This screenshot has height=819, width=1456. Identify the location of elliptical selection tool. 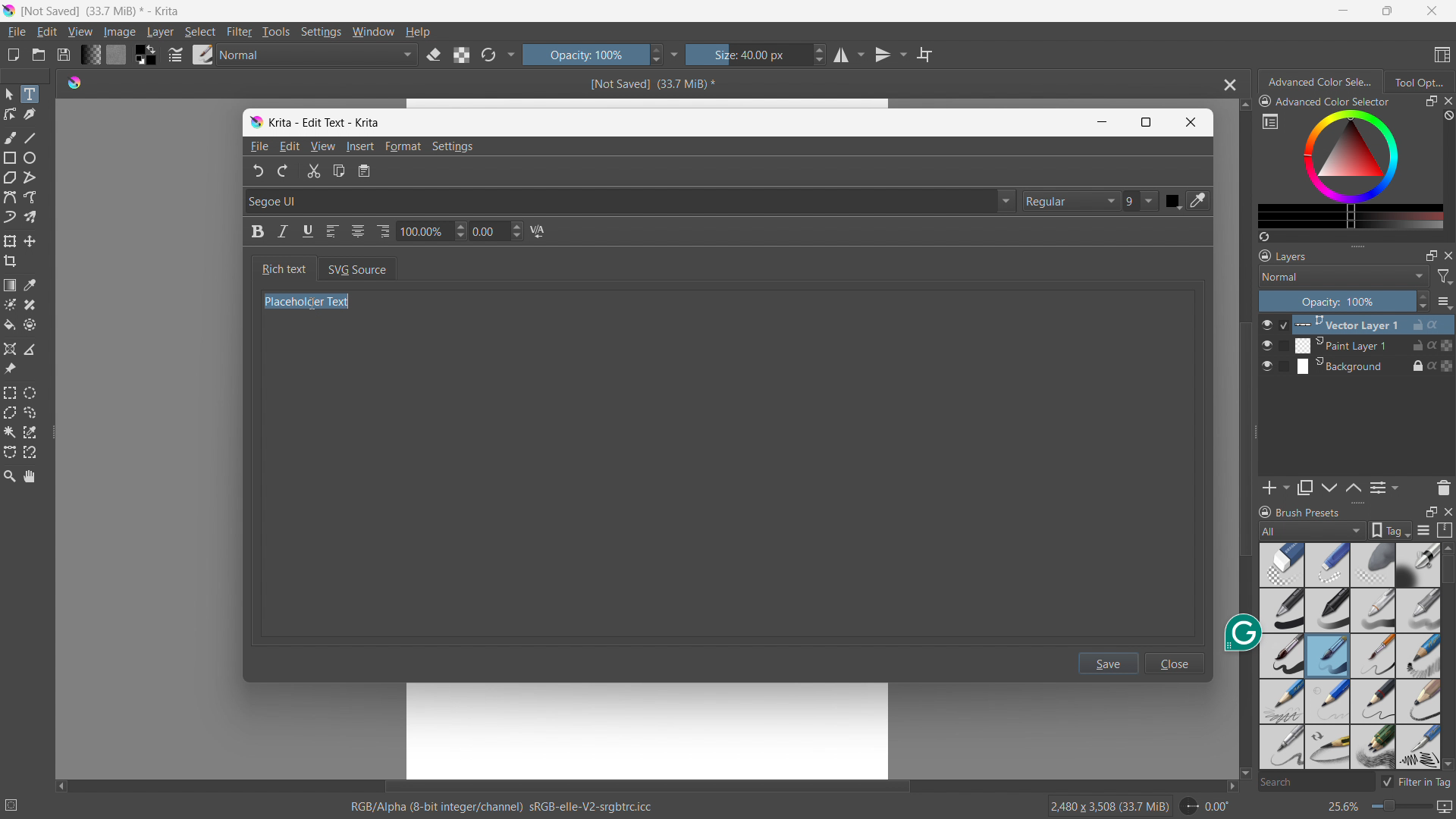
(30, 393).